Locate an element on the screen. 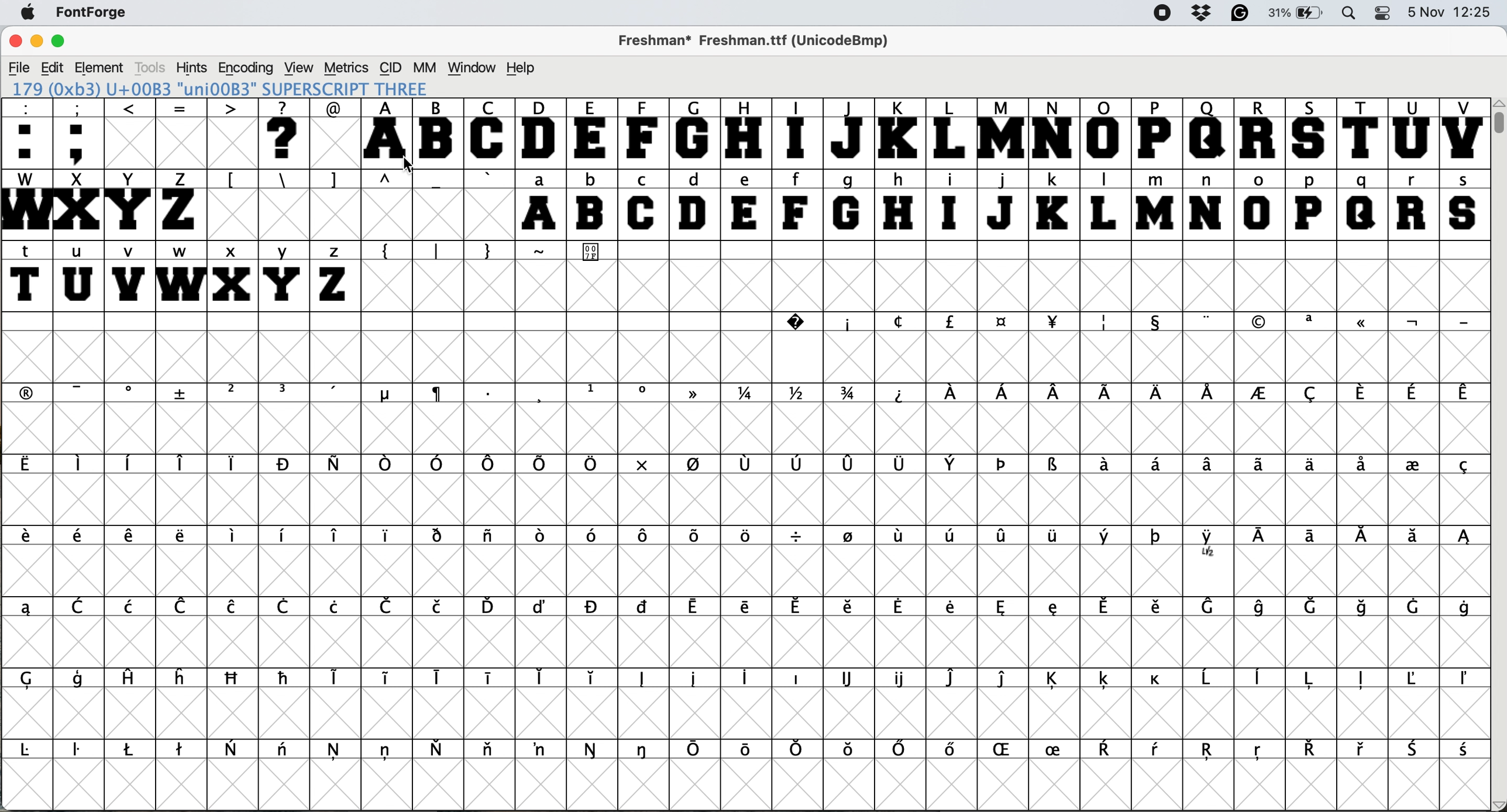 This screenshot has width=1507, height=812. > is located at coordinates (234, 133).